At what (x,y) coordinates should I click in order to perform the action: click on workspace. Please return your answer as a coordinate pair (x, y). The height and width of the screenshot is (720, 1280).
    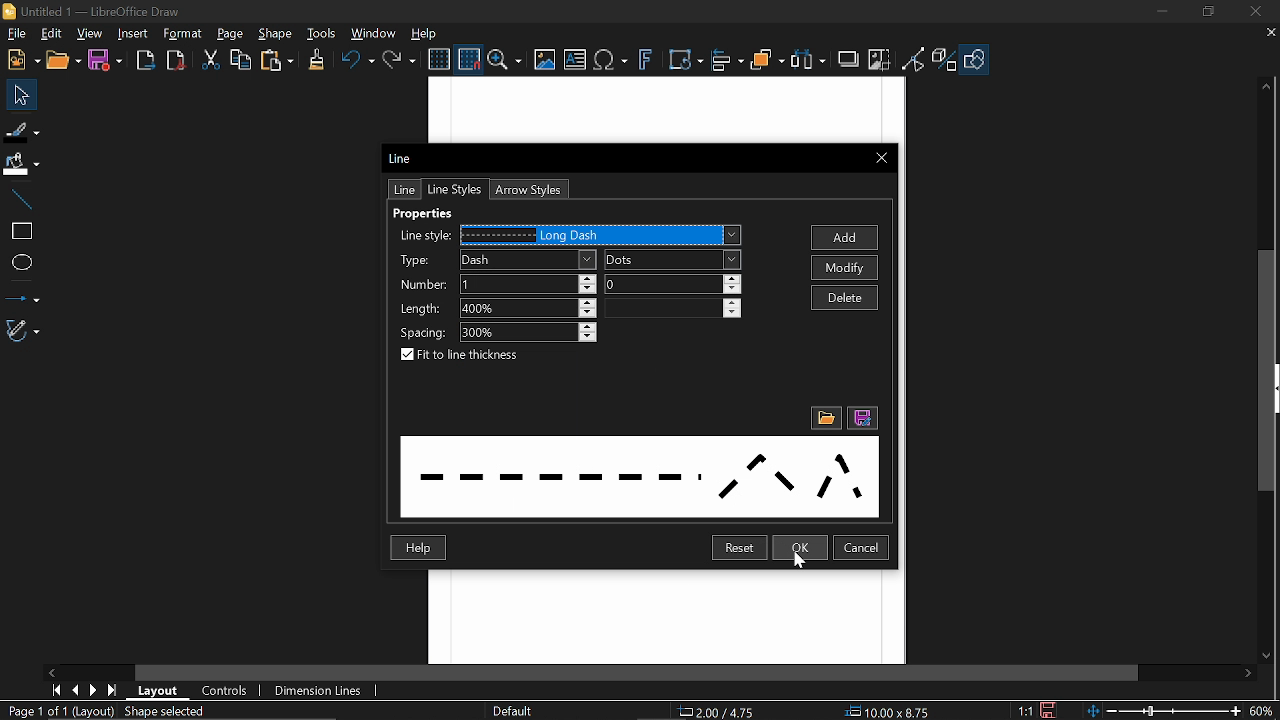
    Looking at the image, I should click on (667, 109).